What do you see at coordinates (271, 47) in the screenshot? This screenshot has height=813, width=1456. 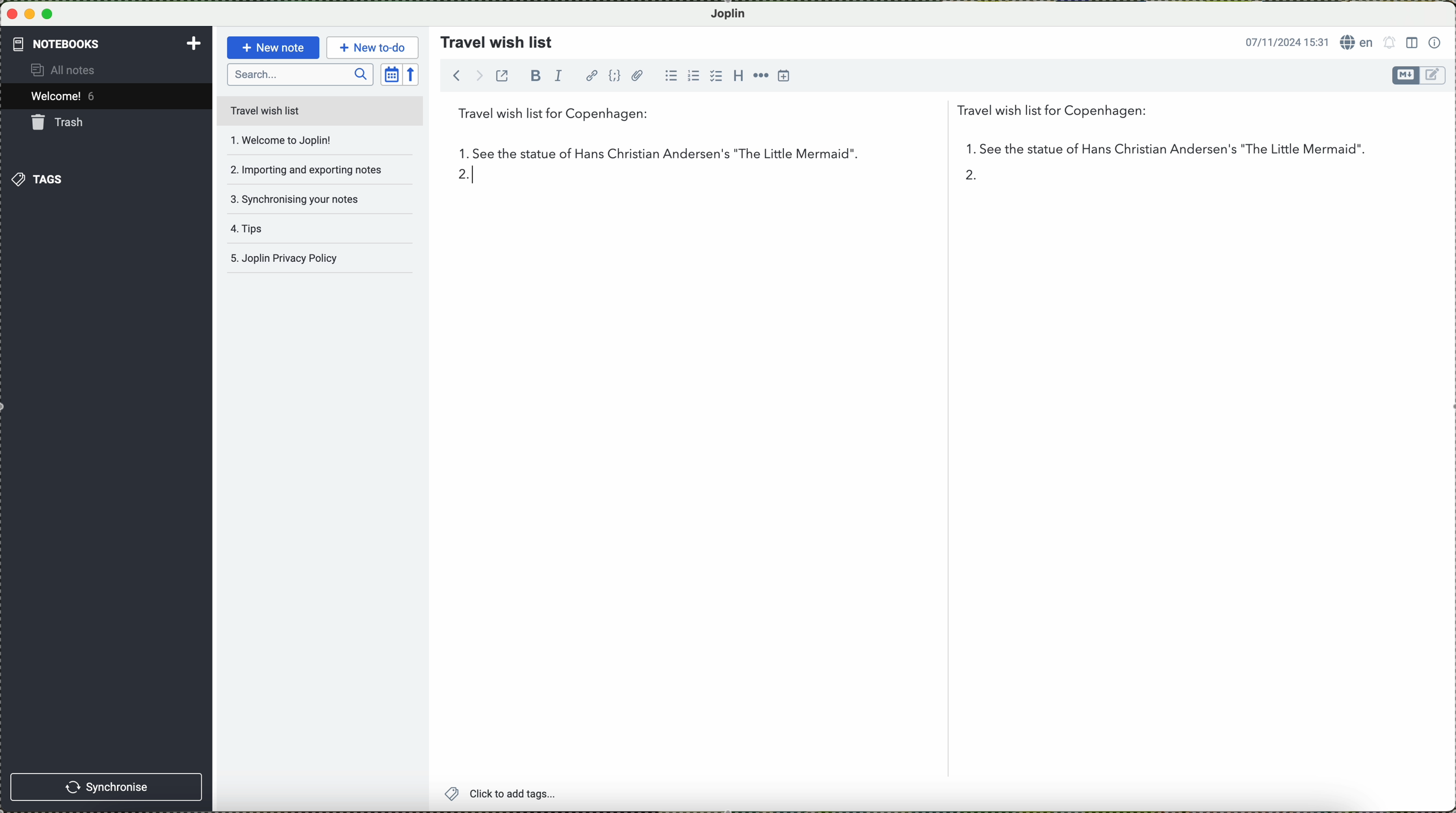 I see `new note button` at bounding box center [271, 47].